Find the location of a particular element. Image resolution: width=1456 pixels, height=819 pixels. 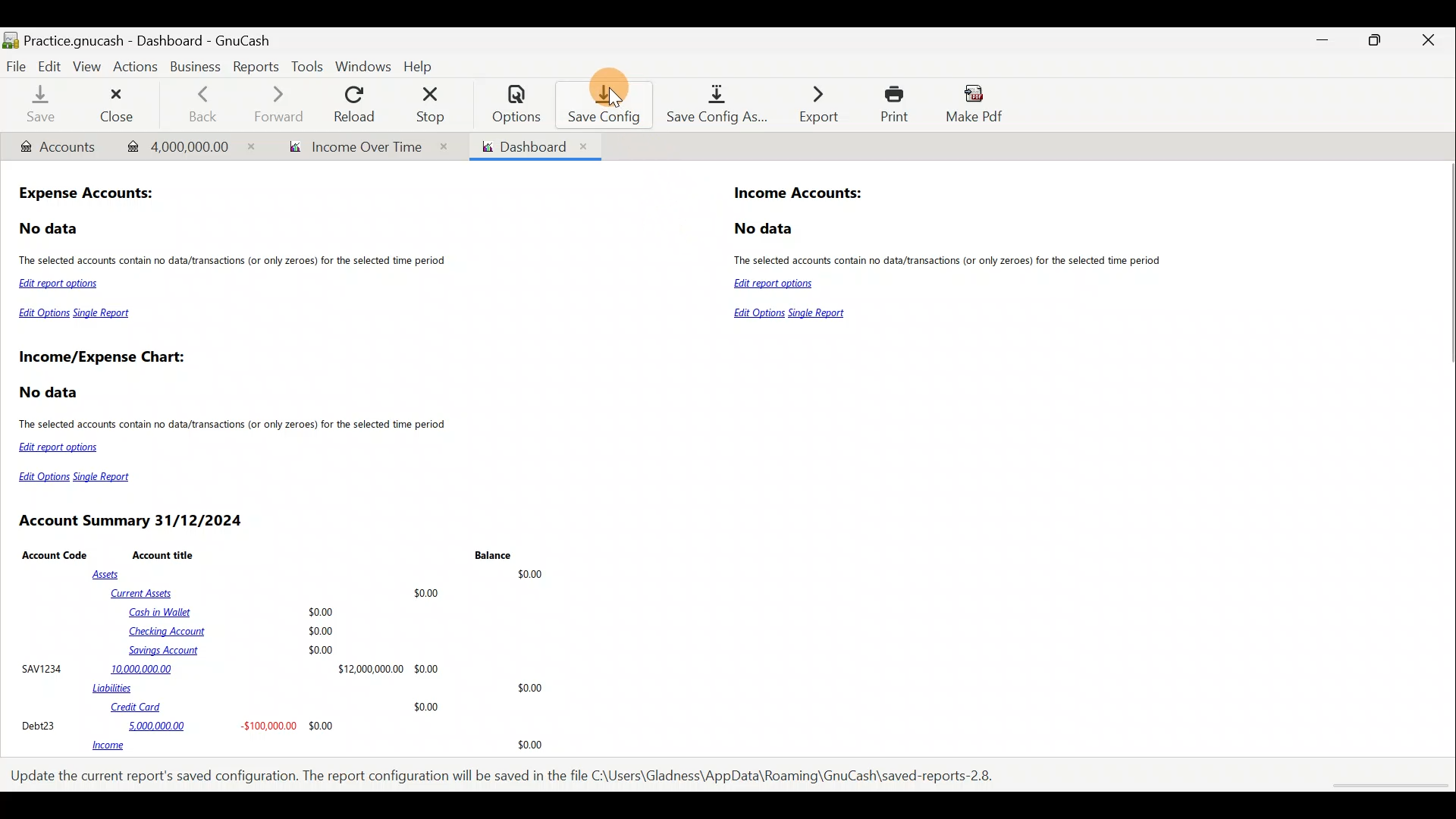

Export is located at coordinates (811, 104).